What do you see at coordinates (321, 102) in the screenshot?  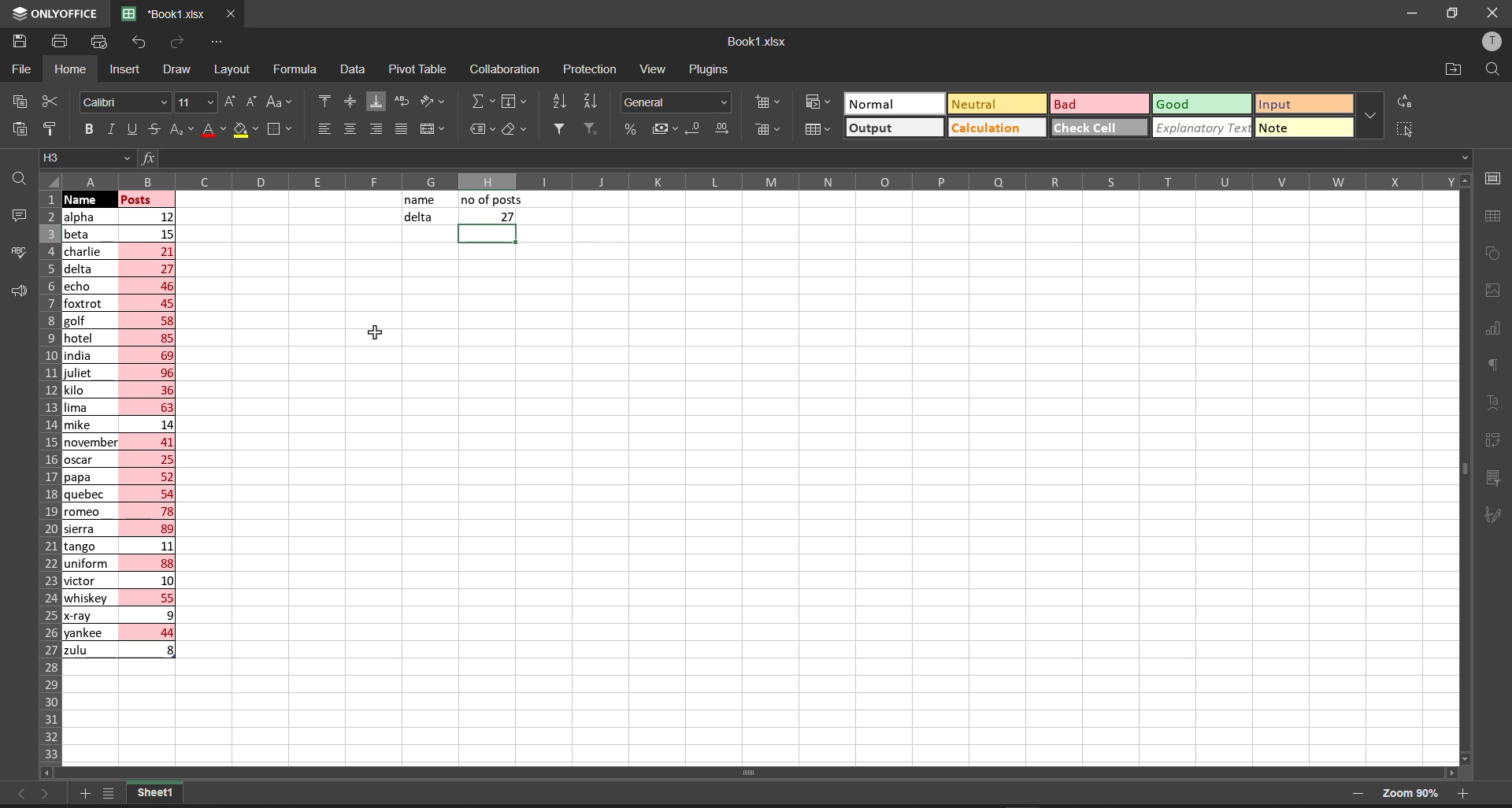 I see `align top` at bounding box center [321, 102].